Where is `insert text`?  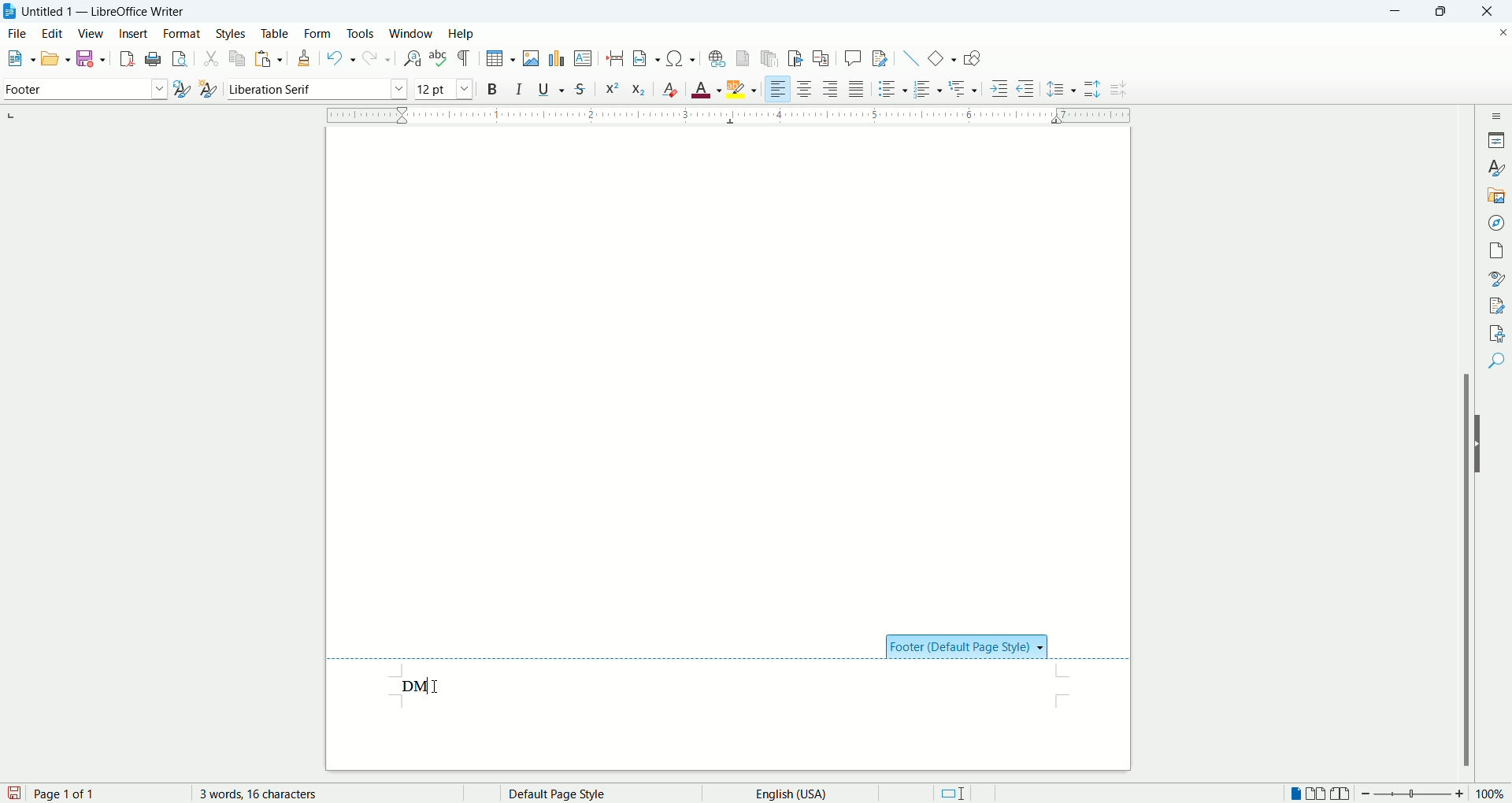 insert text is located at coordinates (582, 59).